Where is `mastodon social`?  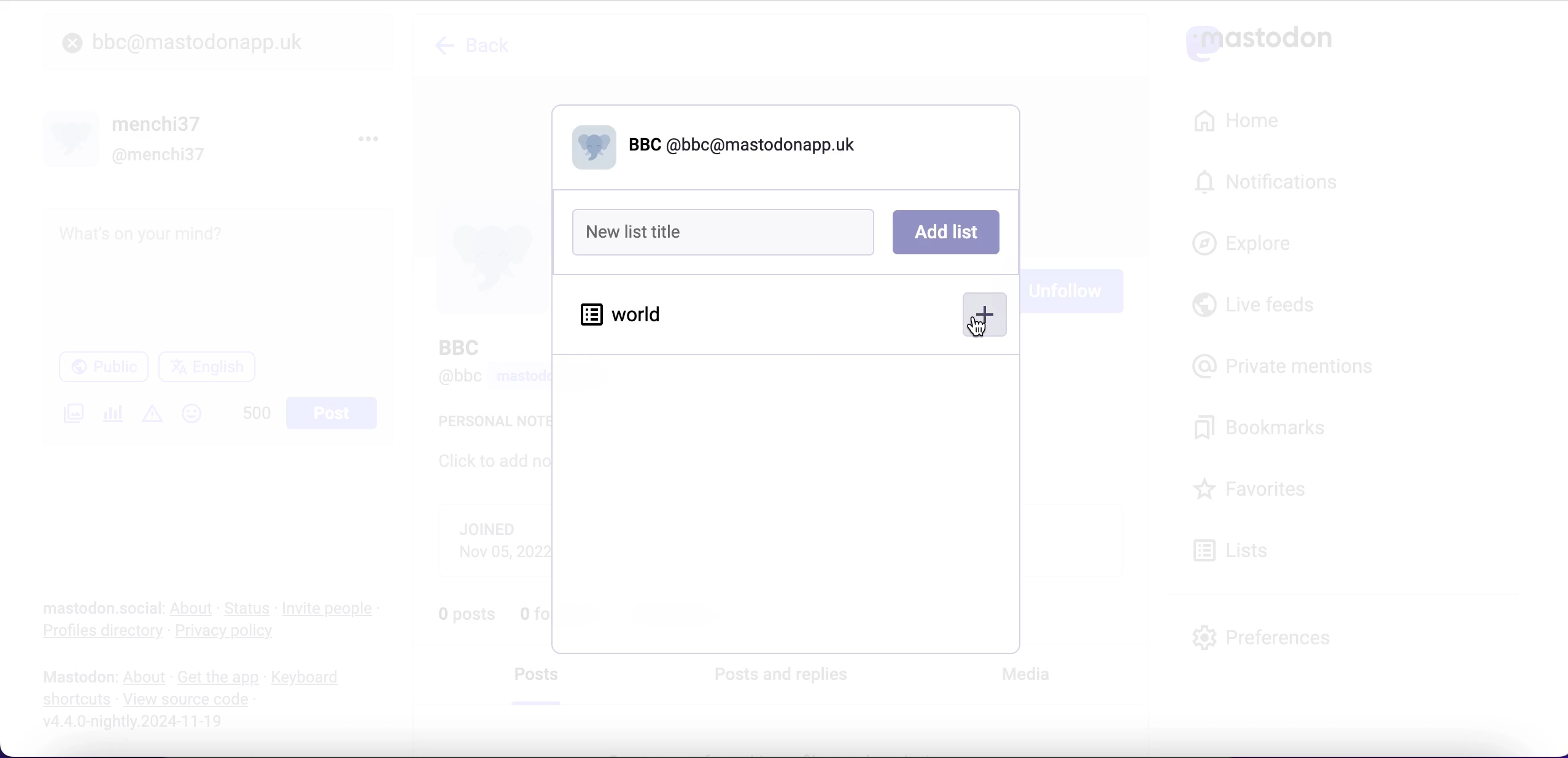 mastodon social is located at coordinates (86, 609).